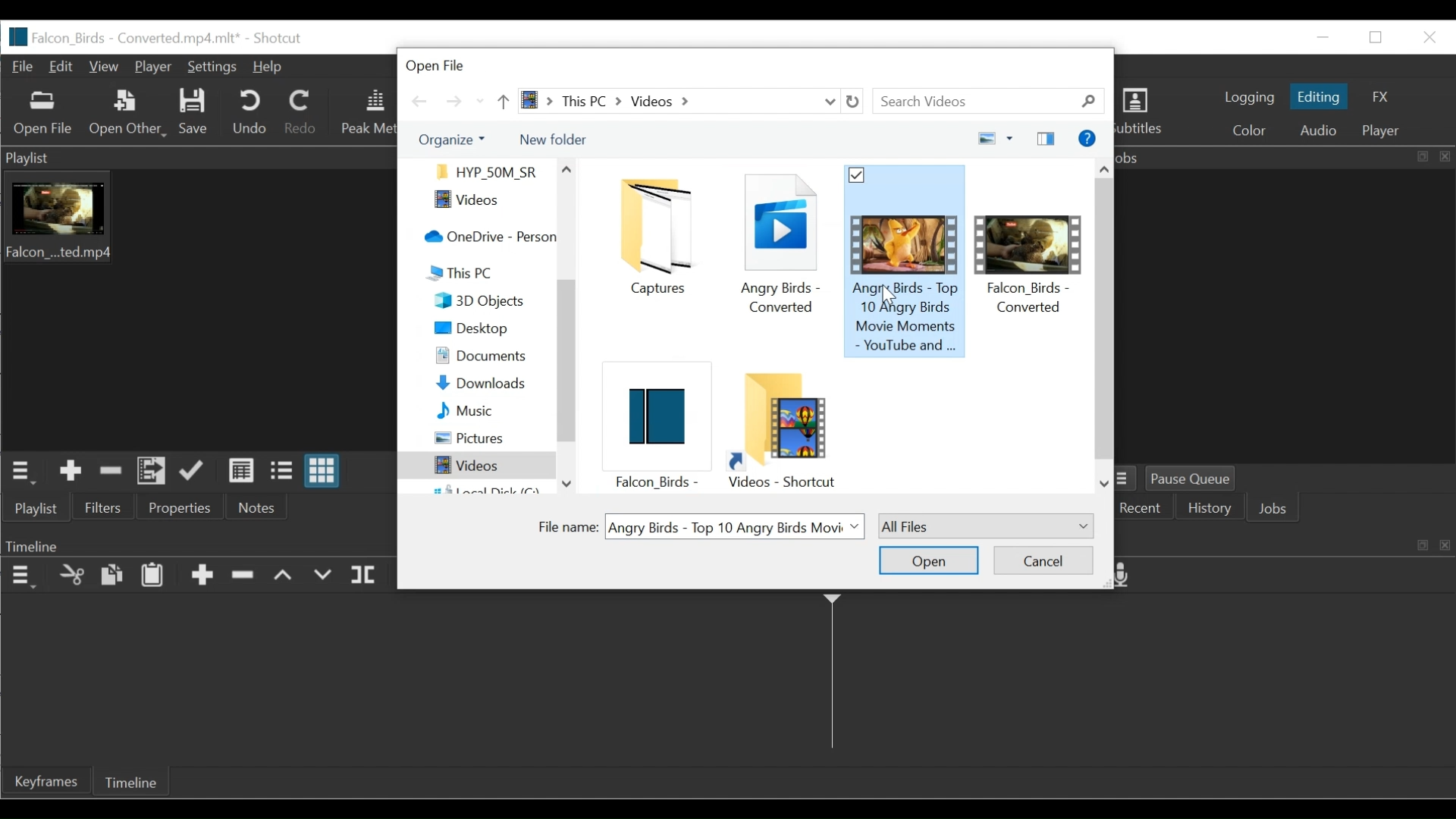 The image size is (1456, 819). I want to click on Notes, so click(256, 507).